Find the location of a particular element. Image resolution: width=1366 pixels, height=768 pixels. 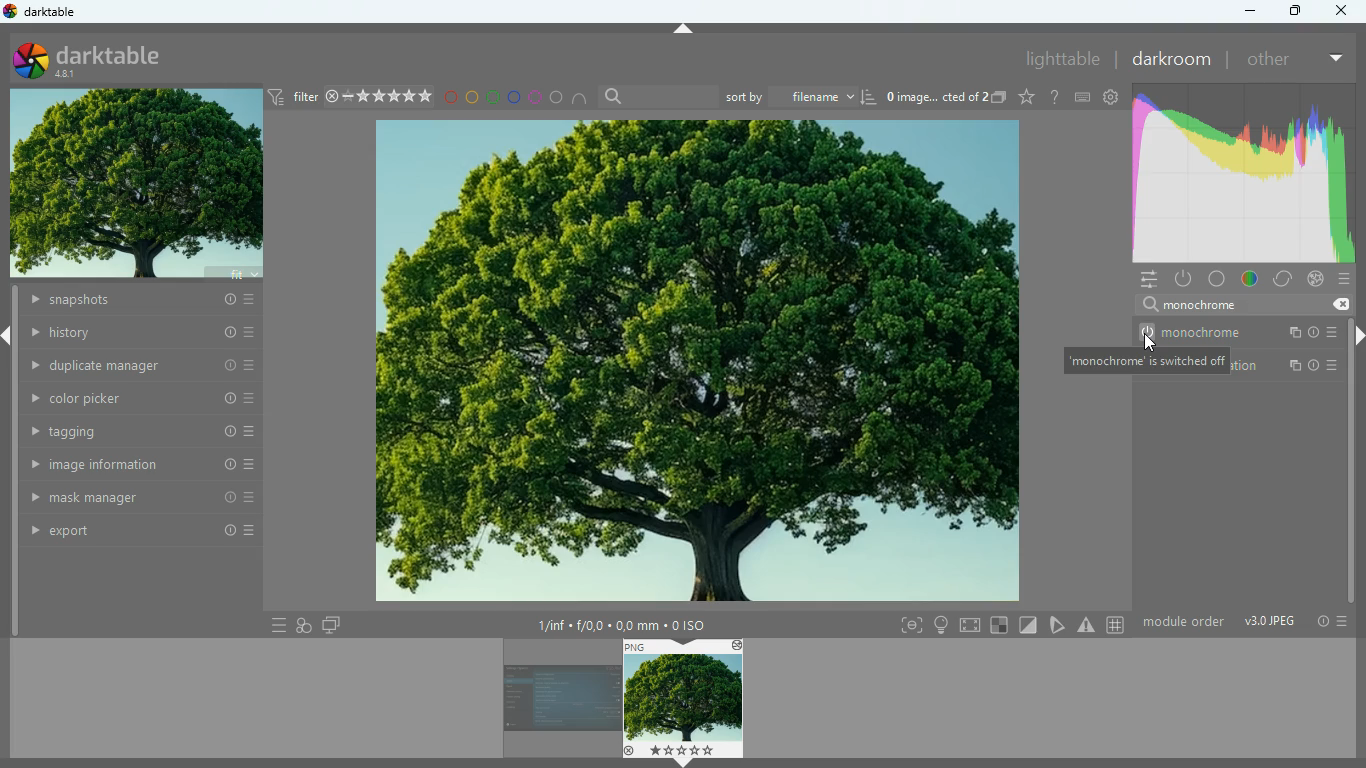

darkroom is located at coordinates (1170, 58).